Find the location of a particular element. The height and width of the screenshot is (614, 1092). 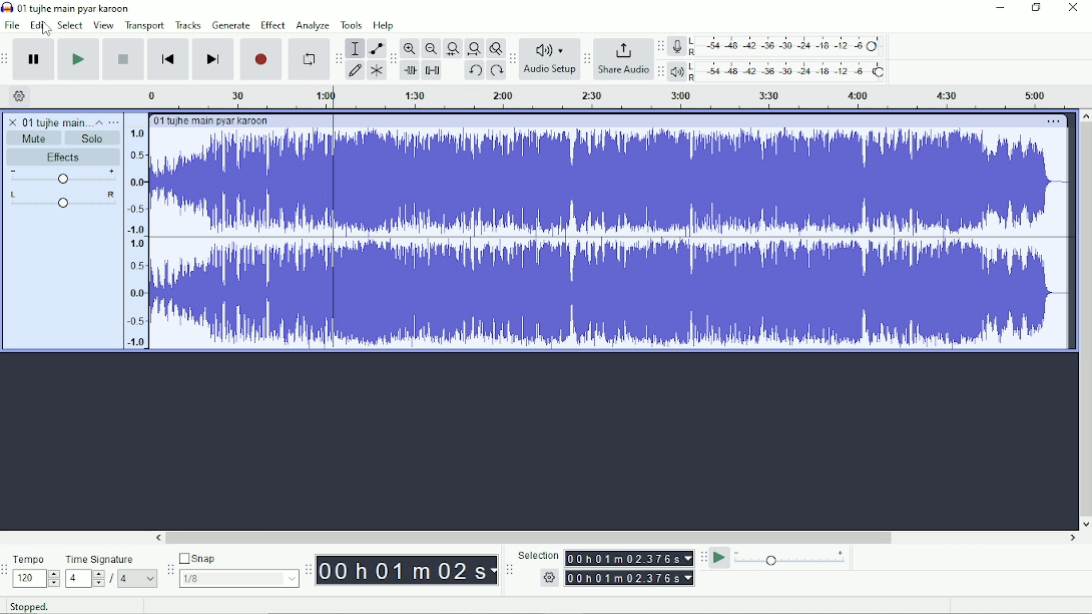

Pause is located at coordinates (34, 59).